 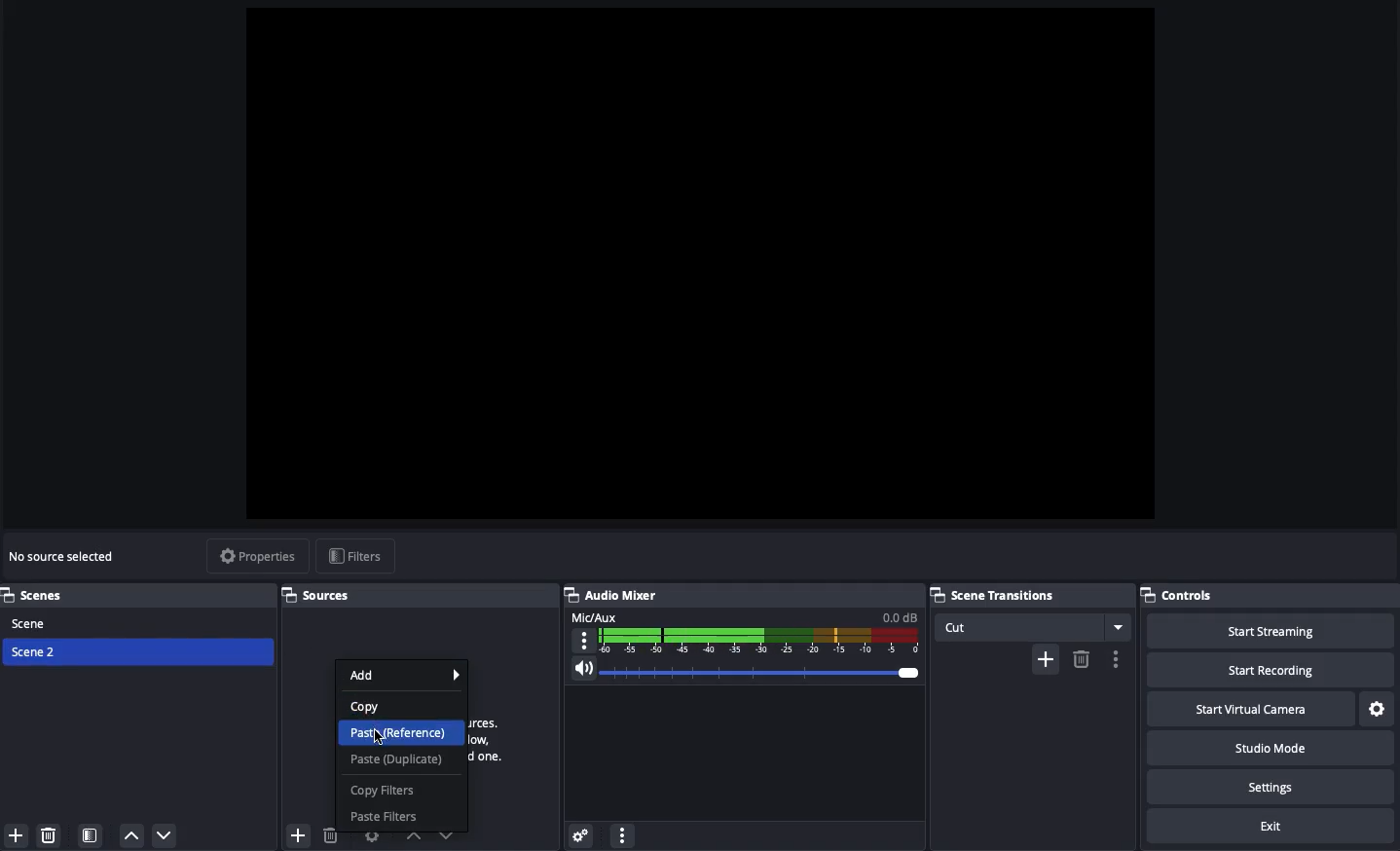 What do you see at coordinates (379, 735) in the screenshot?
I see `cursor` at bounding box center [379, 735].